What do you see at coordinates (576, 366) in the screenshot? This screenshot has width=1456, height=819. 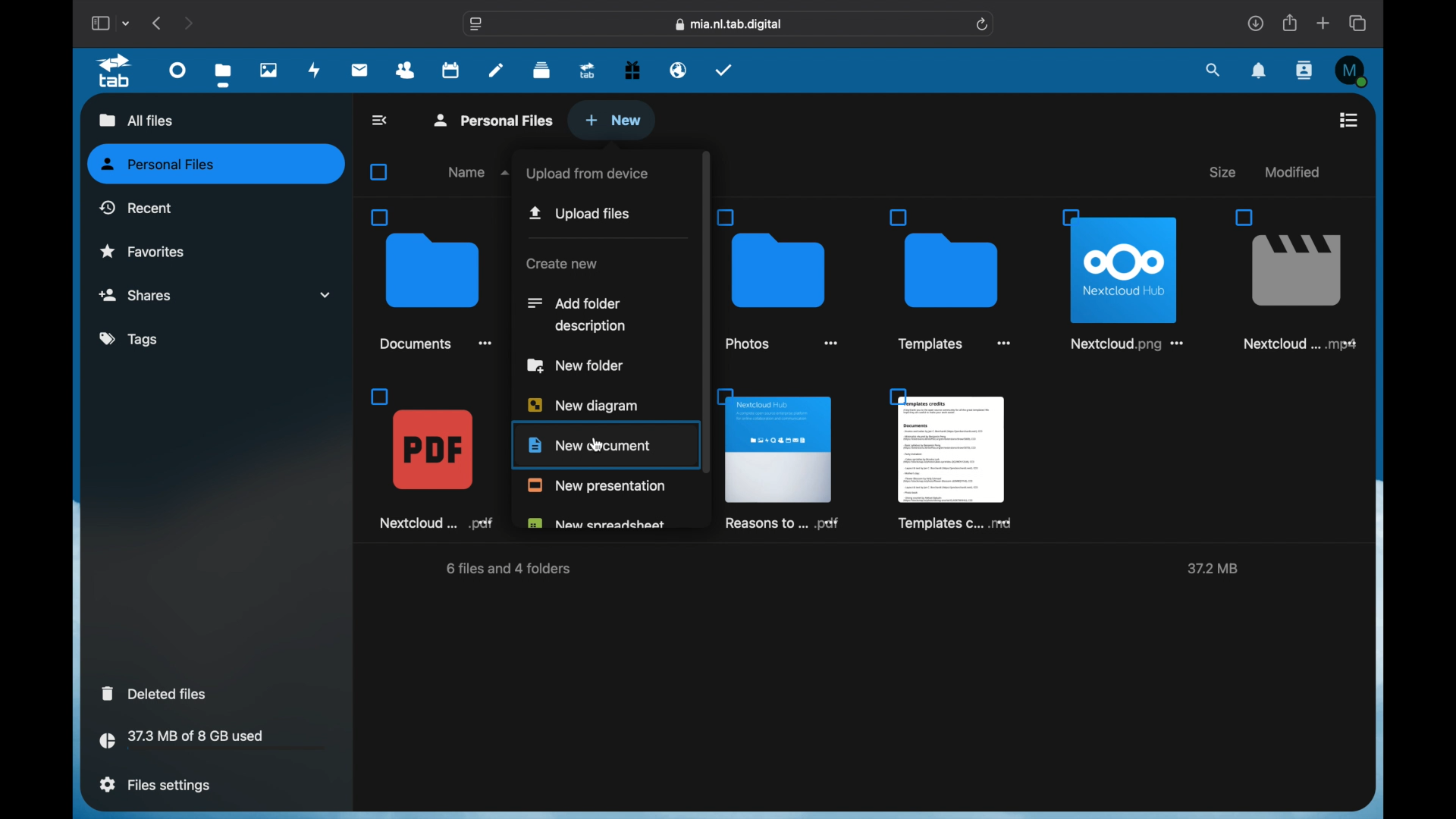 I see `new folder` at bounding box center [576, 366].